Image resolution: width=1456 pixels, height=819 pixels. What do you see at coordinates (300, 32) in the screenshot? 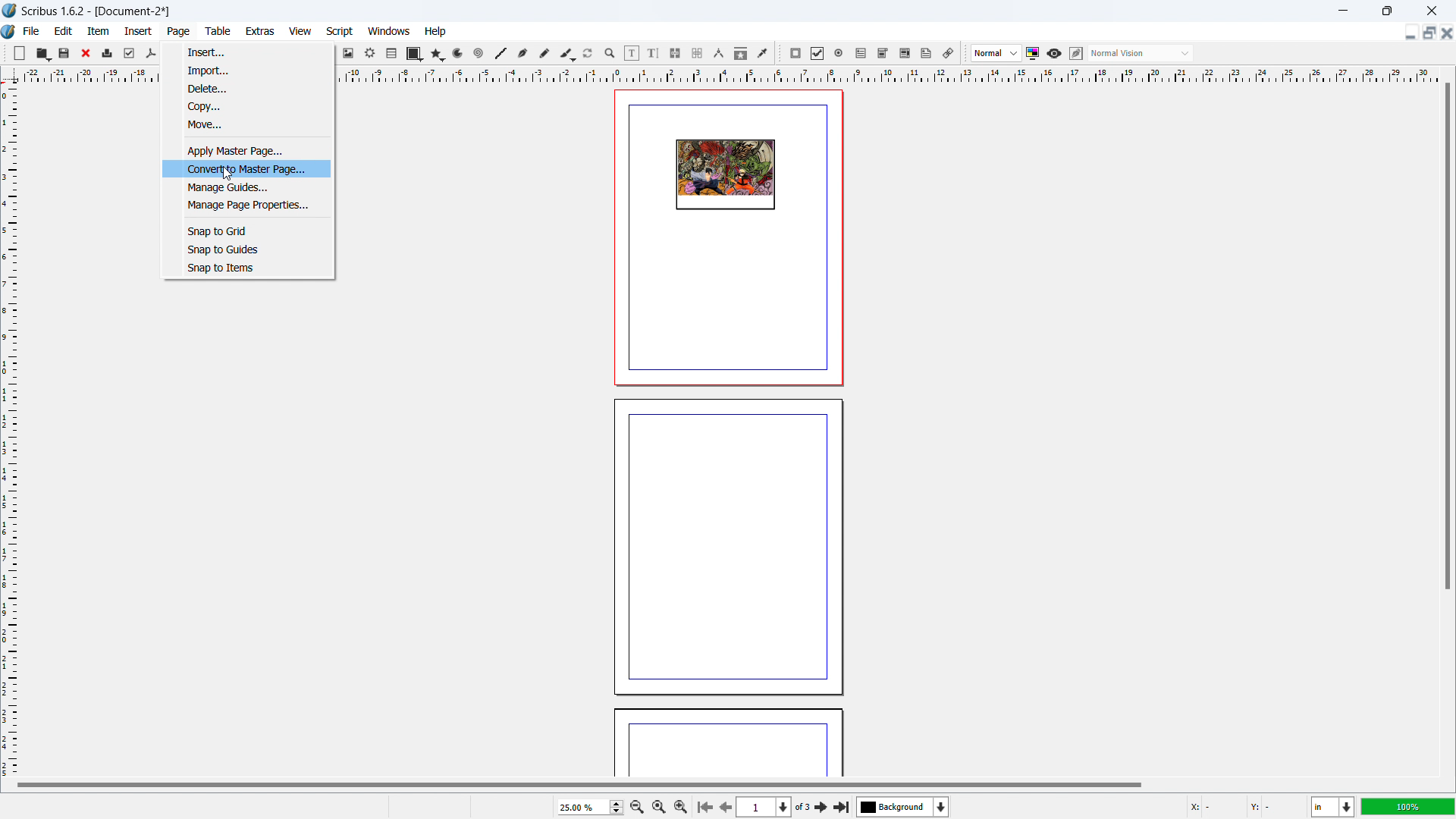
I see `view` at bounding box center [300, 32].